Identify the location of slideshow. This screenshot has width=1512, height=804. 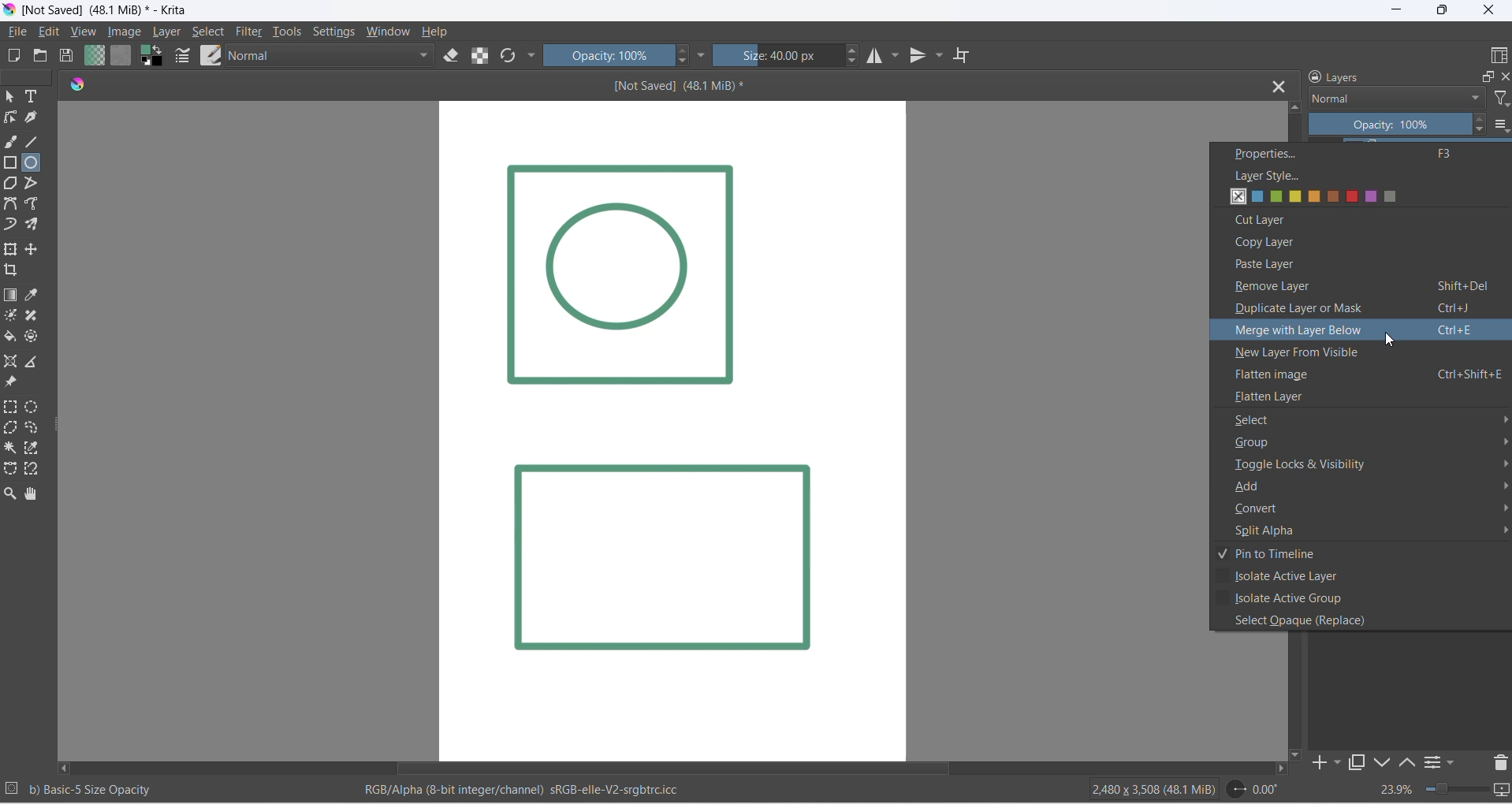
(1503, 792).